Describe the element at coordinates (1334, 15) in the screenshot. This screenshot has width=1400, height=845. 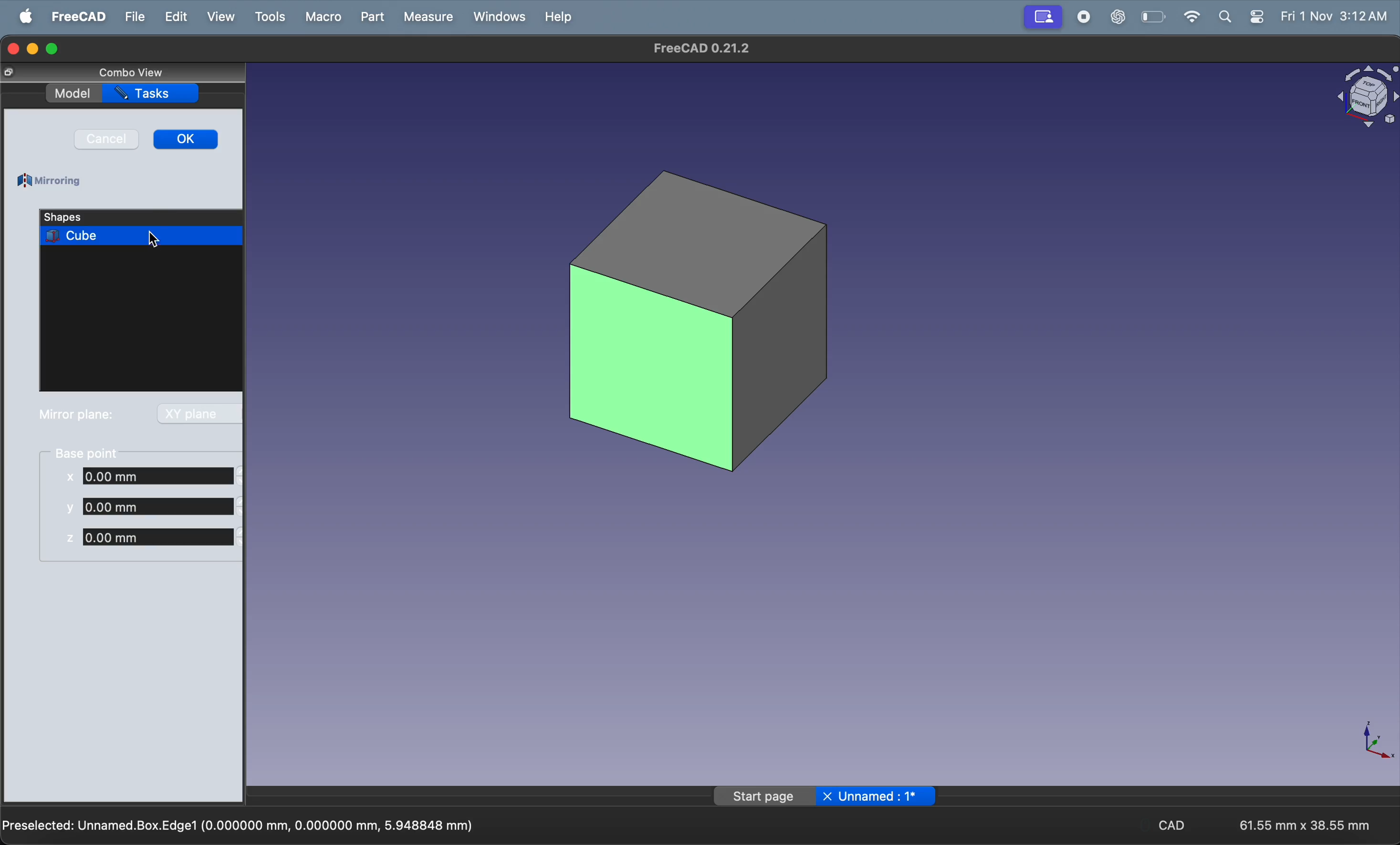
I see `Fri 1 Nov 3:12 AM` at that location.